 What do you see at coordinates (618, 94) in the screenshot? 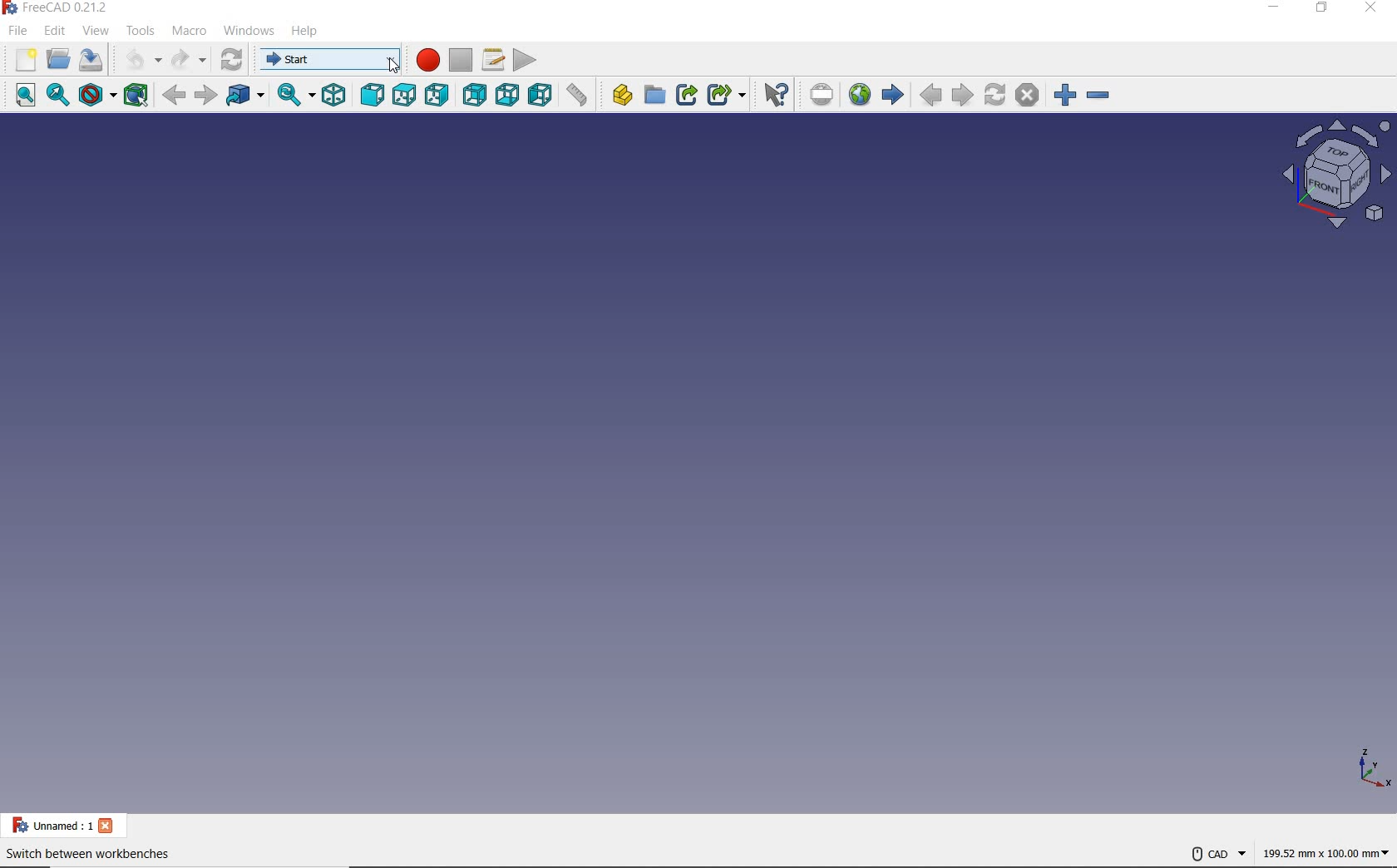
I see `CREATE PART` at bounding box center [618, 94].